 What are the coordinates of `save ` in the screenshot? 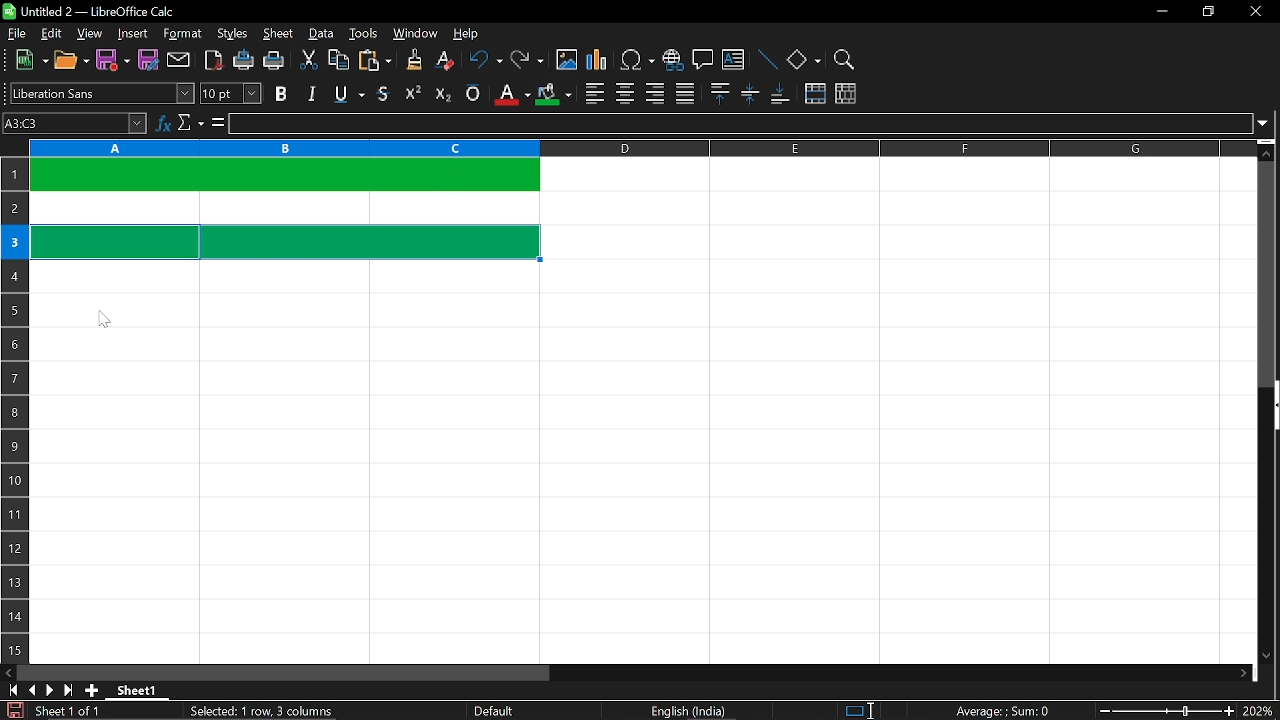 It's located at (12, 710).